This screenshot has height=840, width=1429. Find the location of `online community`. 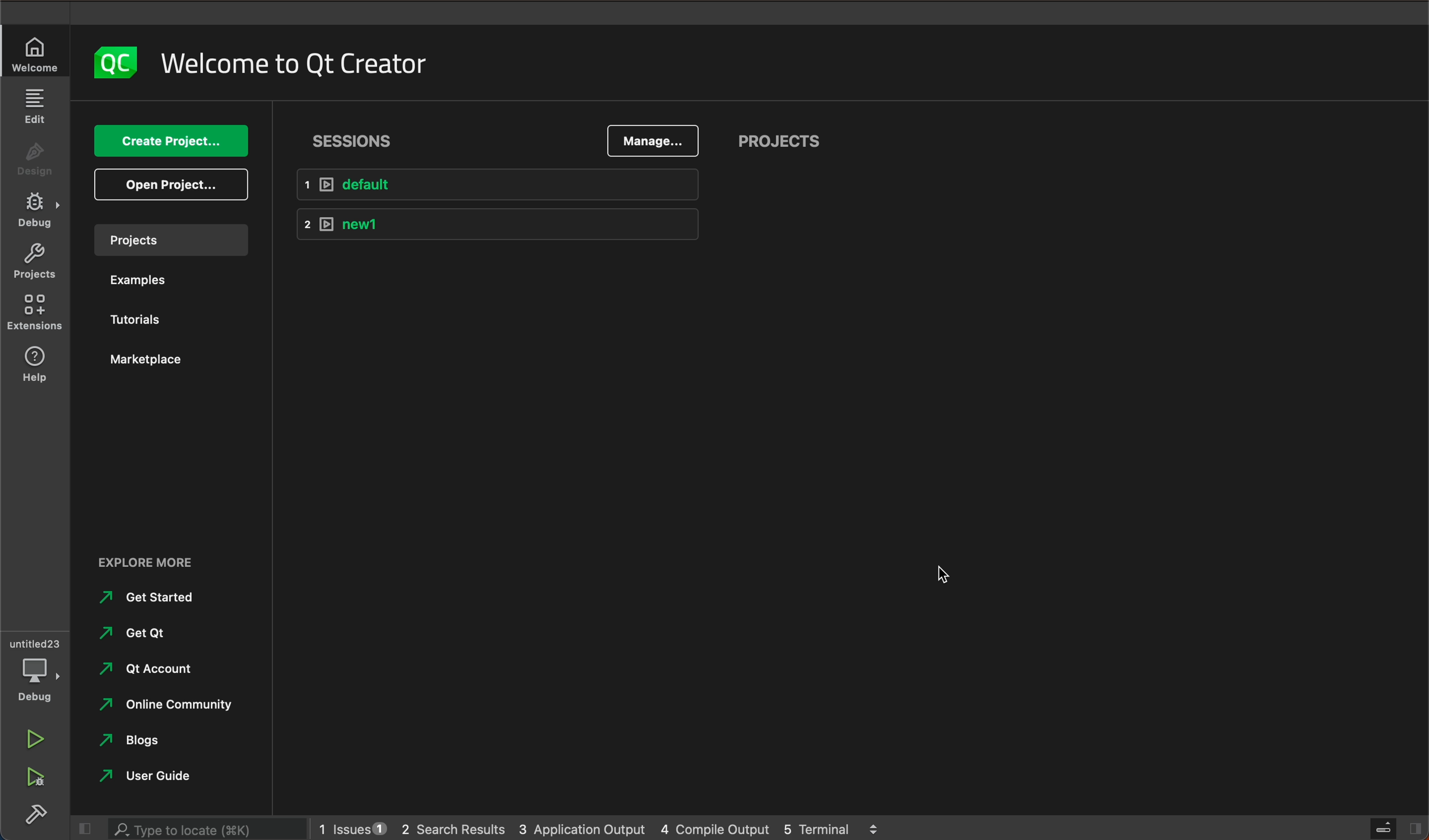

online community is located at coordinates (160, 705).